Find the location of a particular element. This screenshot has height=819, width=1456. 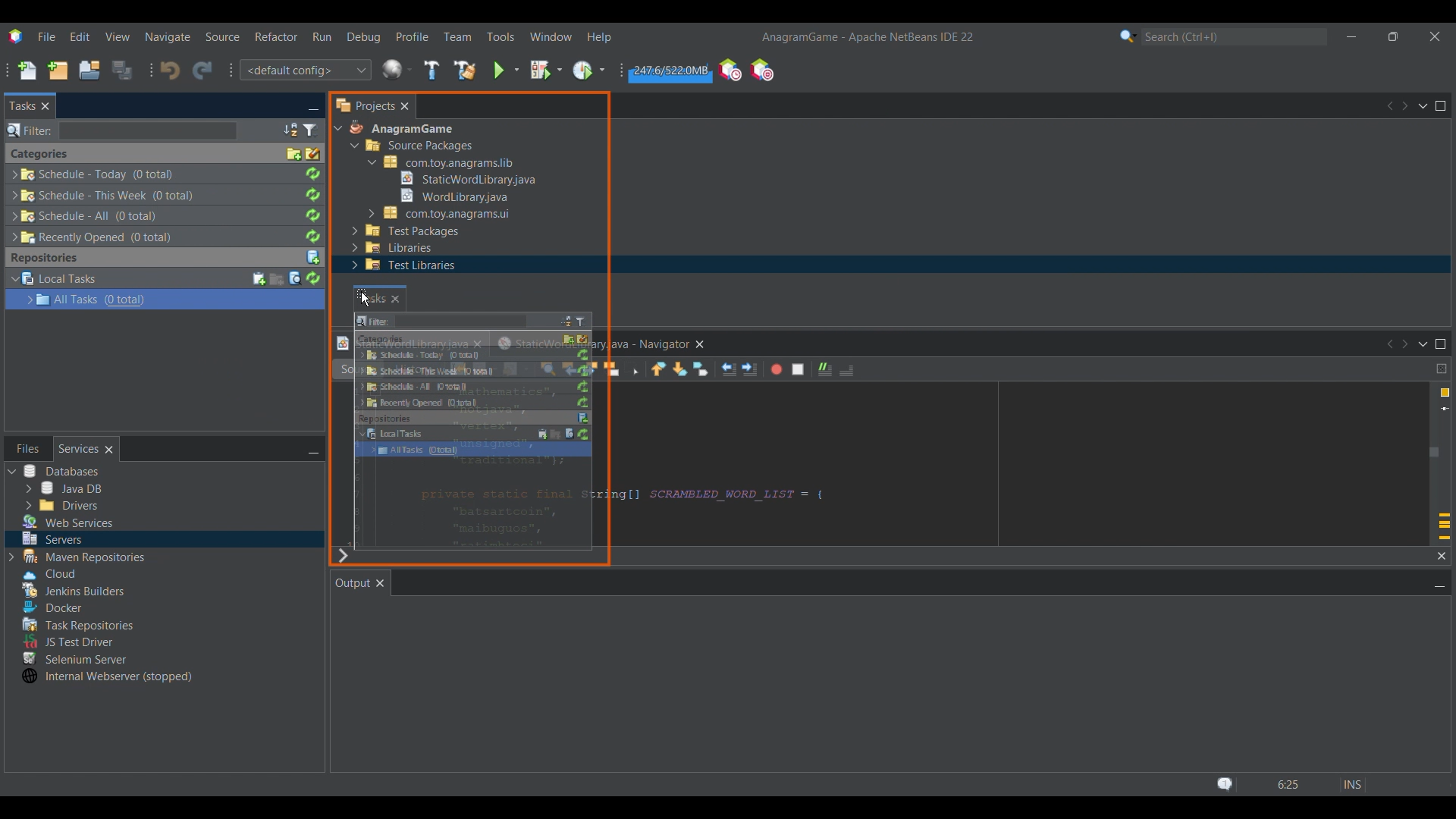

Other tab is located at coordinates (28, 448).